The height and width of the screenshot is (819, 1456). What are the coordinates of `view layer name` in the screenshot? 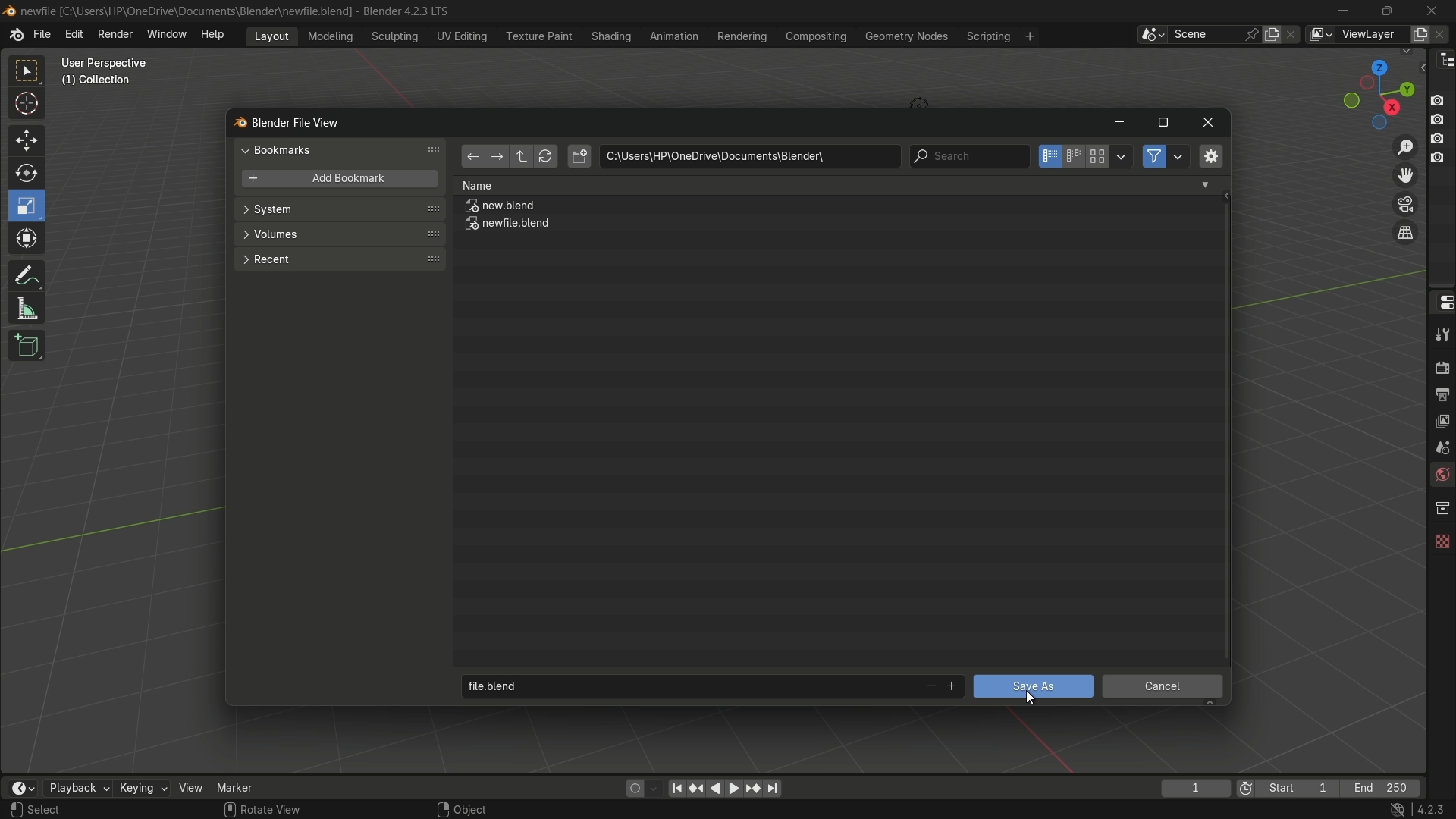 It's located at (1371, 35).